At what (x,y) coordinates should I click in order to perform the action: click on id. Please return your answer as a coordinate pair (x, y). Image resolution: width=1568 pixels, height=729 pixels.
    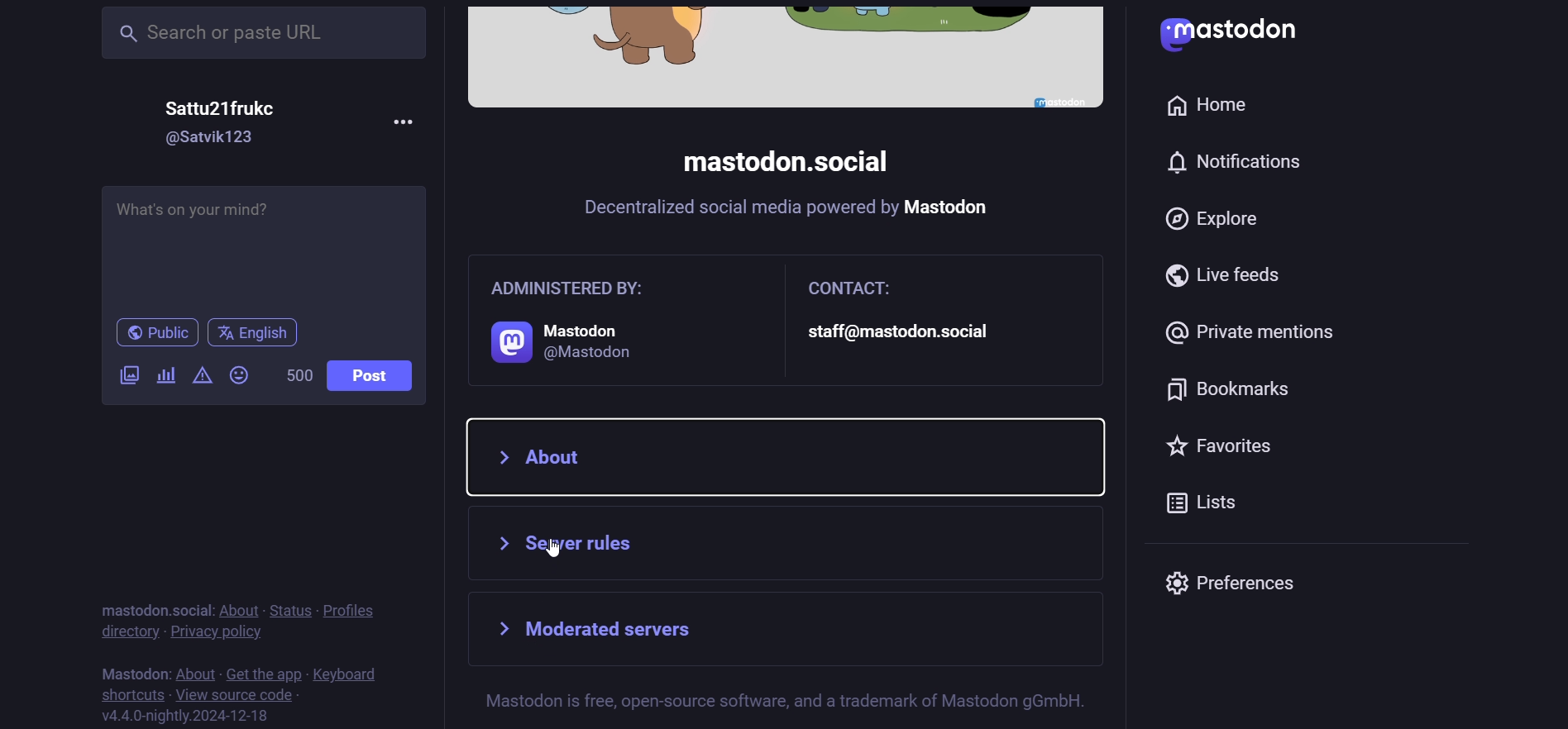
    Looking at the image, I should click on (213, 138).